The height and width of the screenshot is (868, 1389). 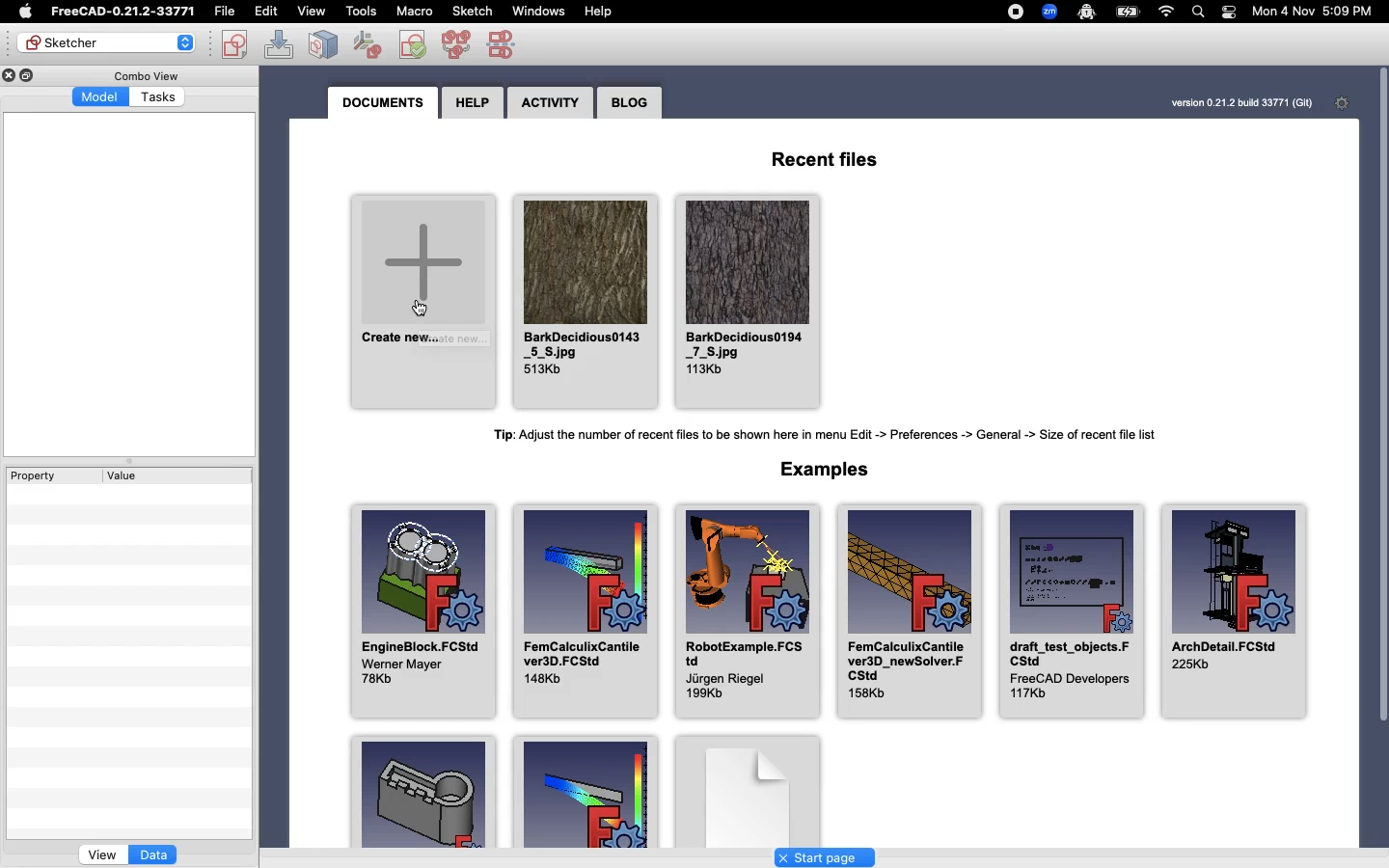 I want to click on Toggle, so click(x=1337, y=13).